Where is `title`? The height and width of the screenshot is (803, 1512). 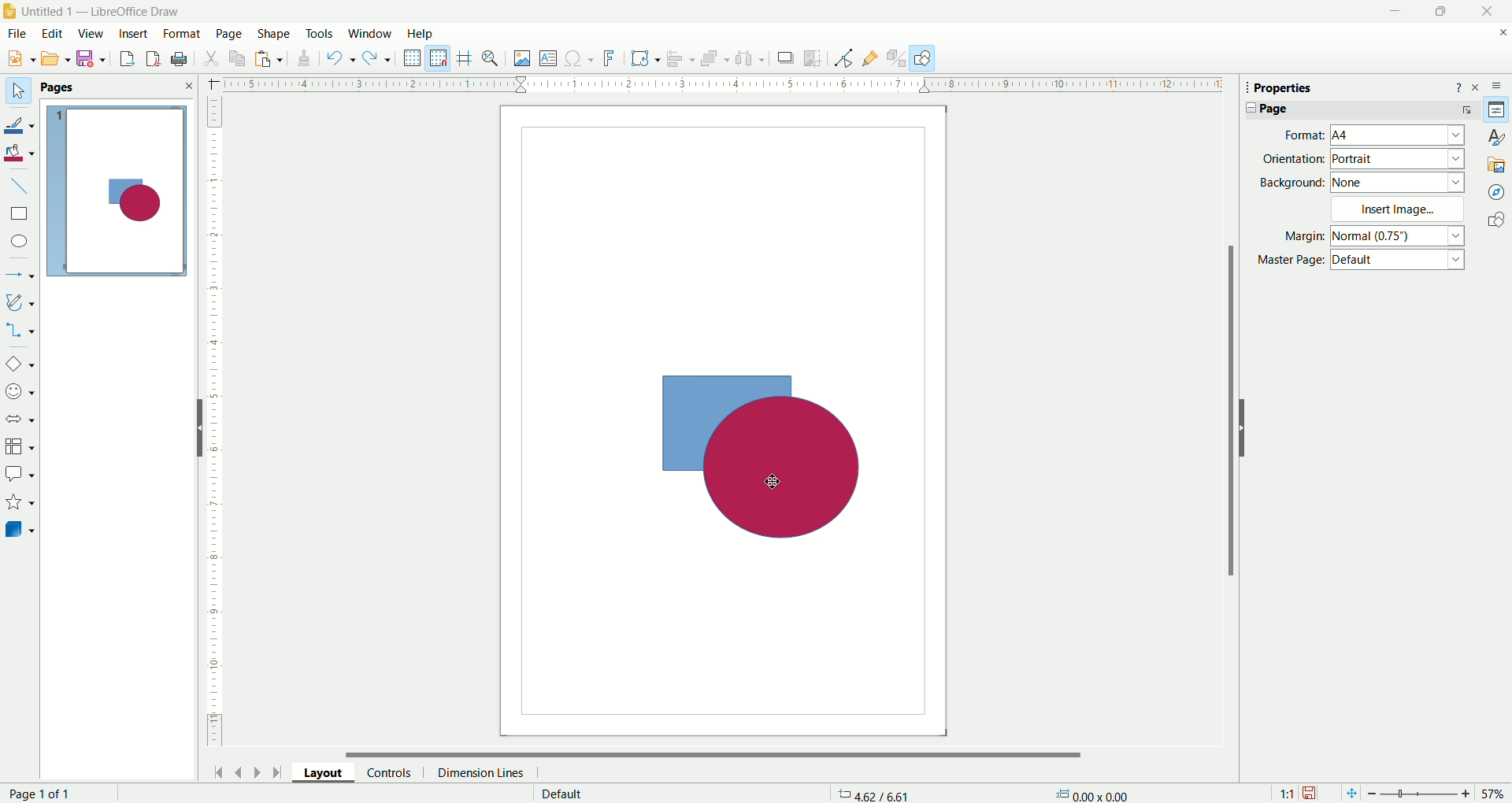
title is located at coordinates (101, 9).